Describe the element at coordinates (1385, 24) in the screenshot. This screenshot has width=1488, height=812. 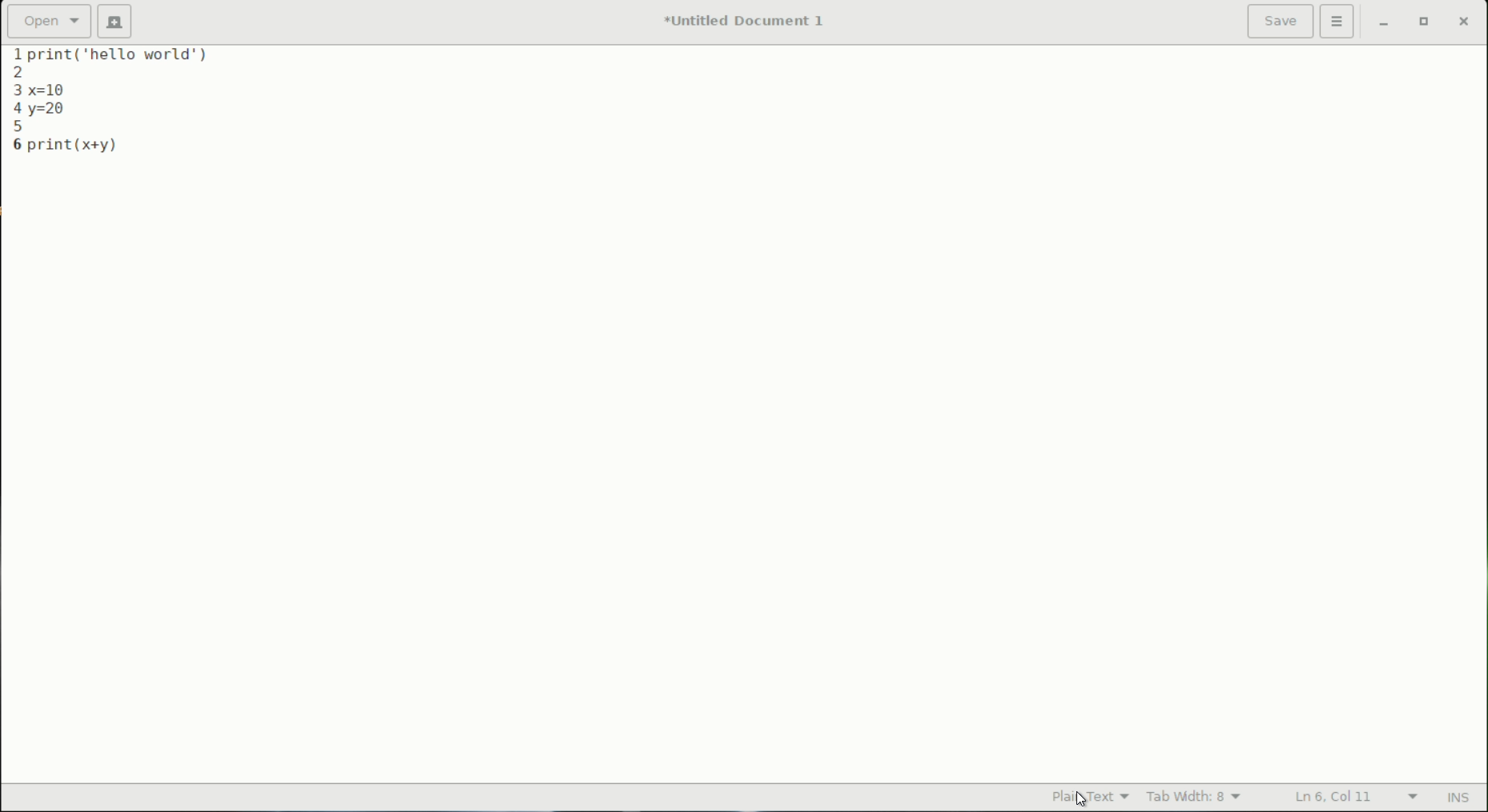
I see `minimize` at that location.